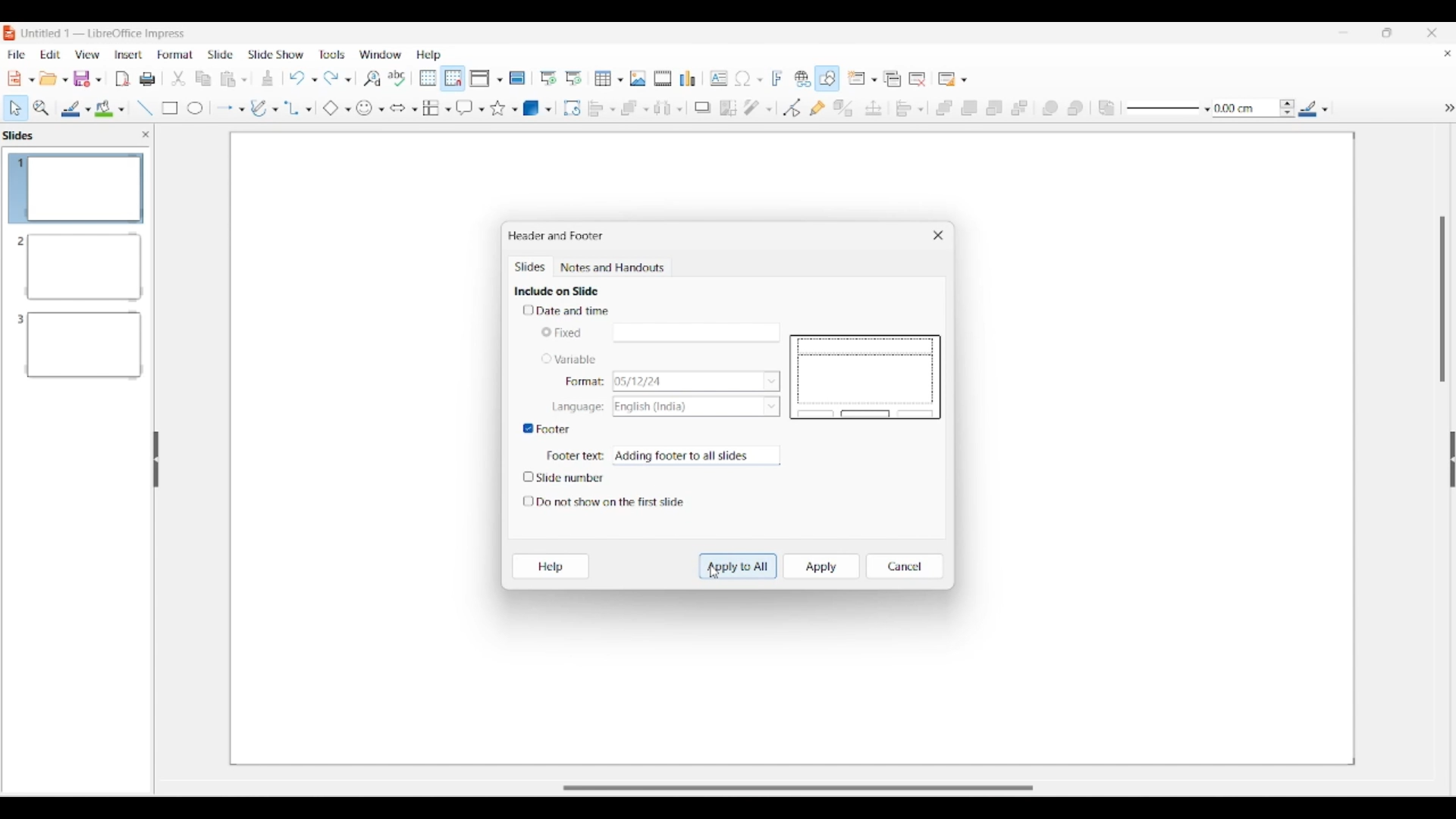 Image resolution: width=1456 pixels, height=819 pixels. What do you see at coordinates (42, 108) in the screenshot?
I see `Zoom and pan` at bounding box center [42, 108].